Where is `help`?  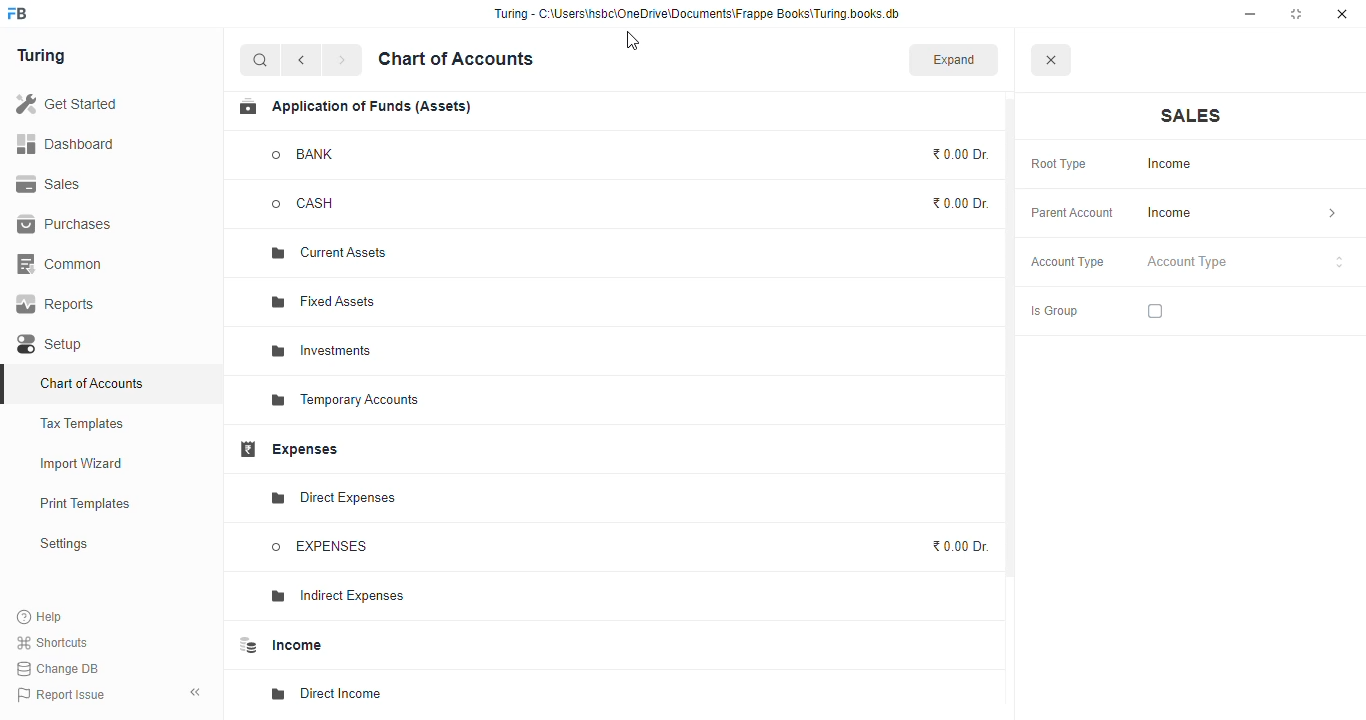
help is located at coordinates (40, 616).